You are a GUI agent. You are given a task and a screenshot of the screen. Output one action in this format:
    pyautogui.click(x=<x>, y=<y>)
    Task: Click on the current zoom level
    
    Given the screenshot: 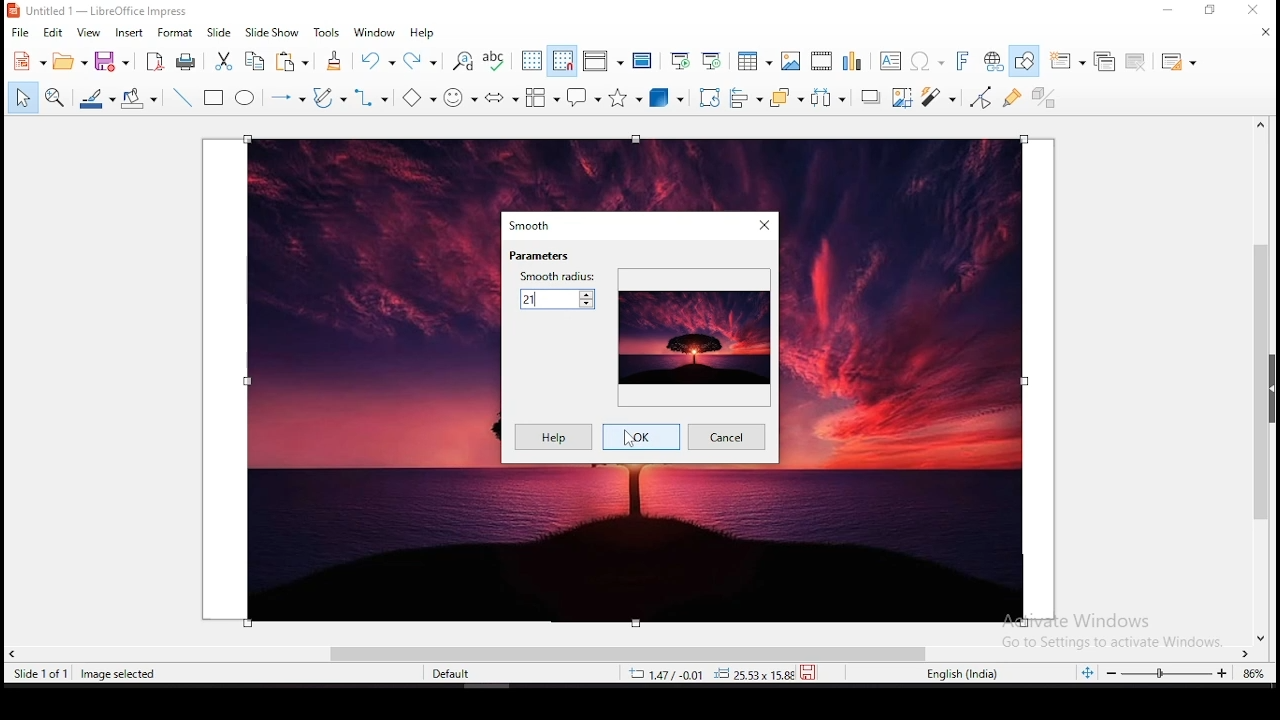 What is the action you would take?
    pyautogui.click(x=1251, y=676)
    